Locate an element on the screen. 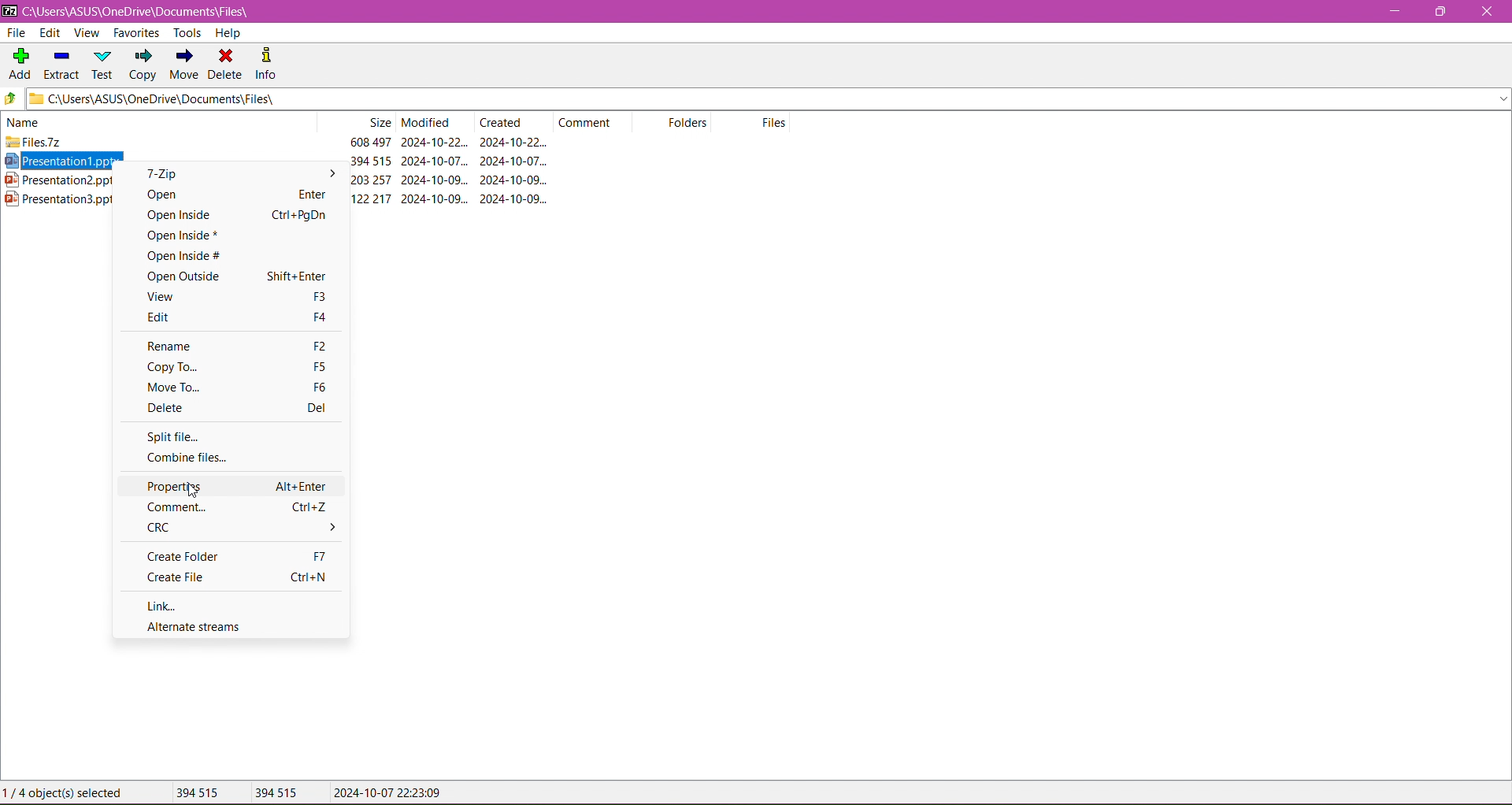  2024-10-09 is located at coordinates (513, 180).